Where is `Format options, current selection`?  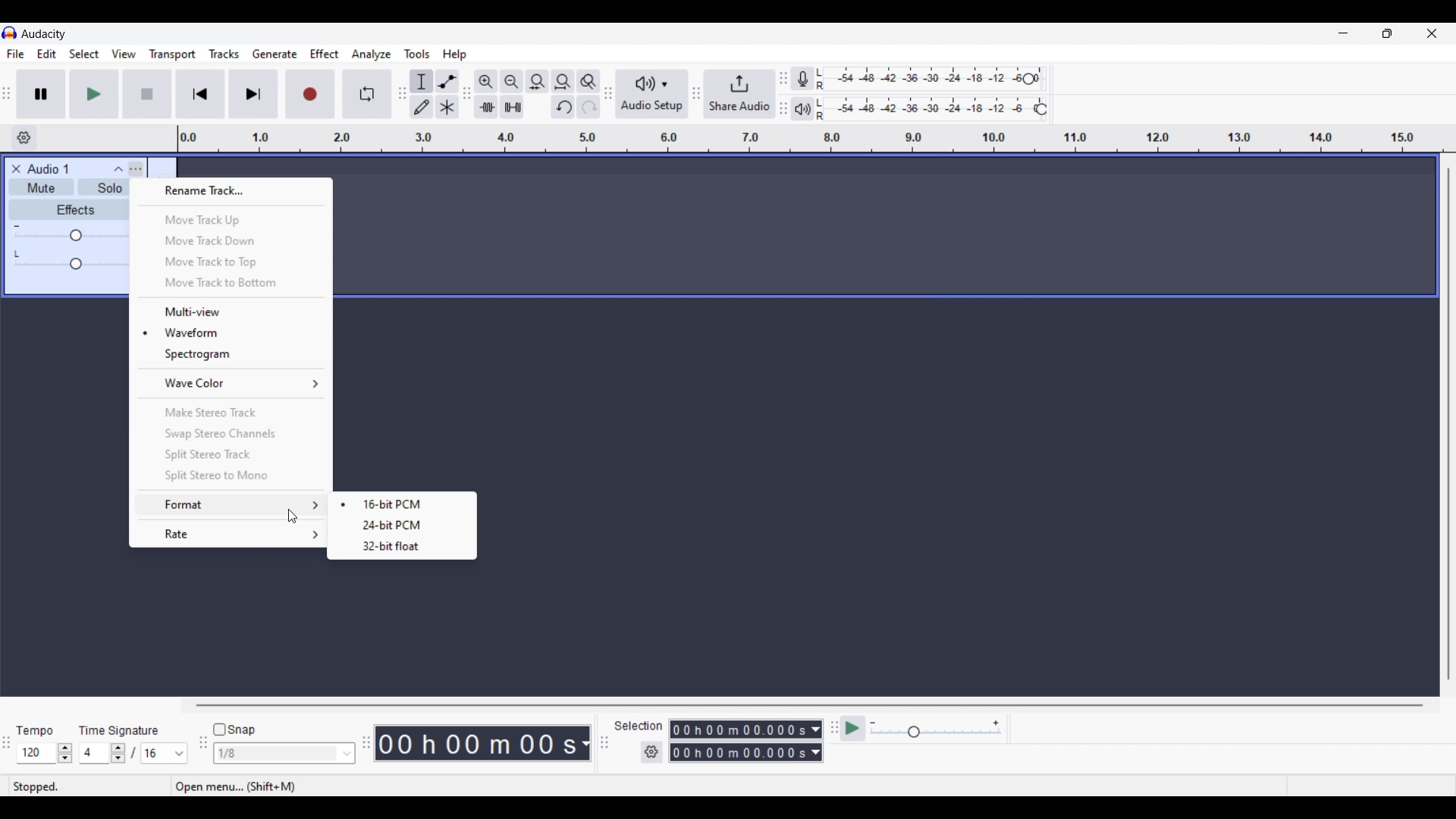
Format options, current selection is located at coordinates (230, 505).